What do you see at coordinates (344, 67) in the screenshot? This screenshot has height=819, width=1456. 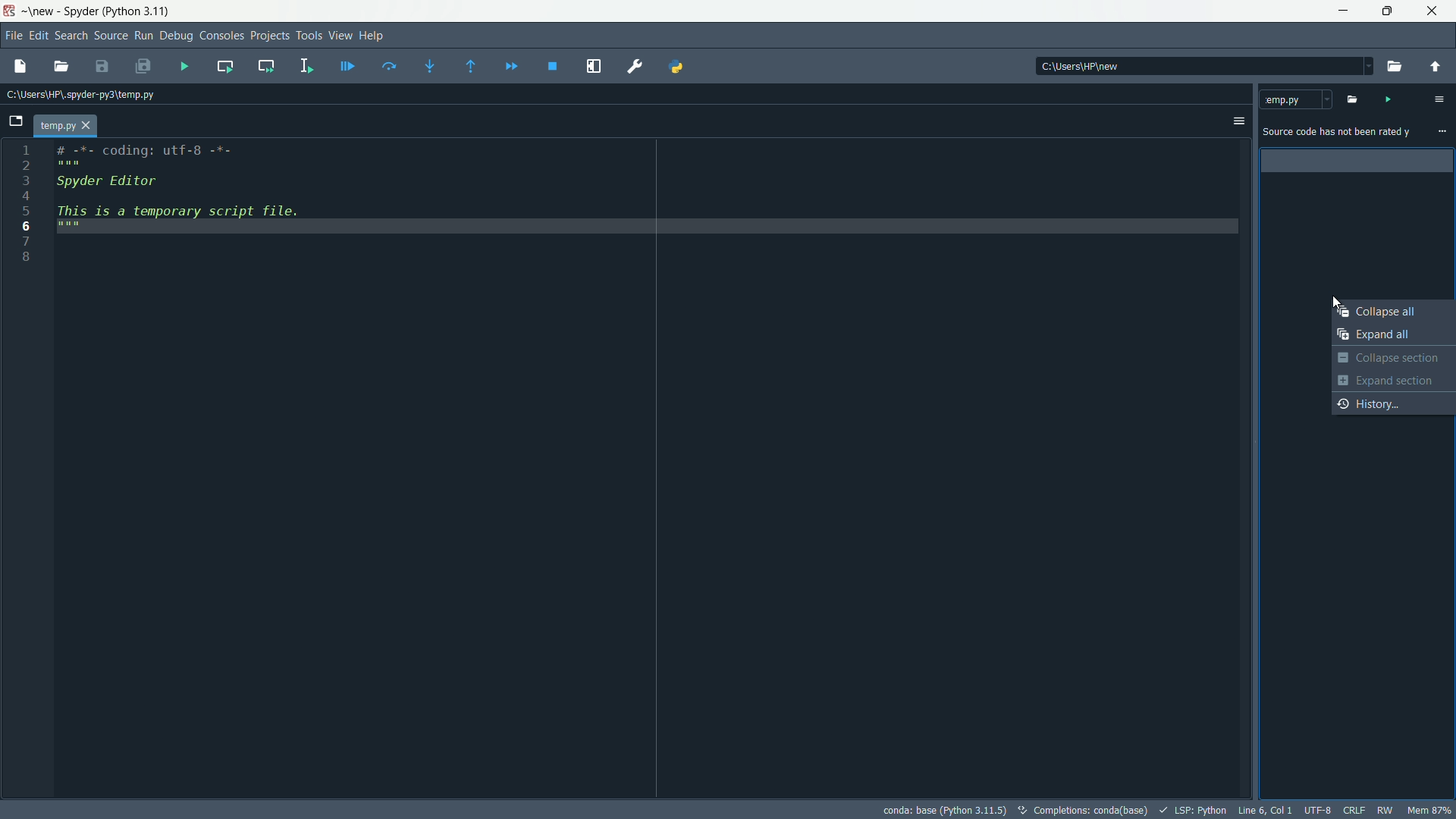 I see `debug file` at bounding box center [344, 67].